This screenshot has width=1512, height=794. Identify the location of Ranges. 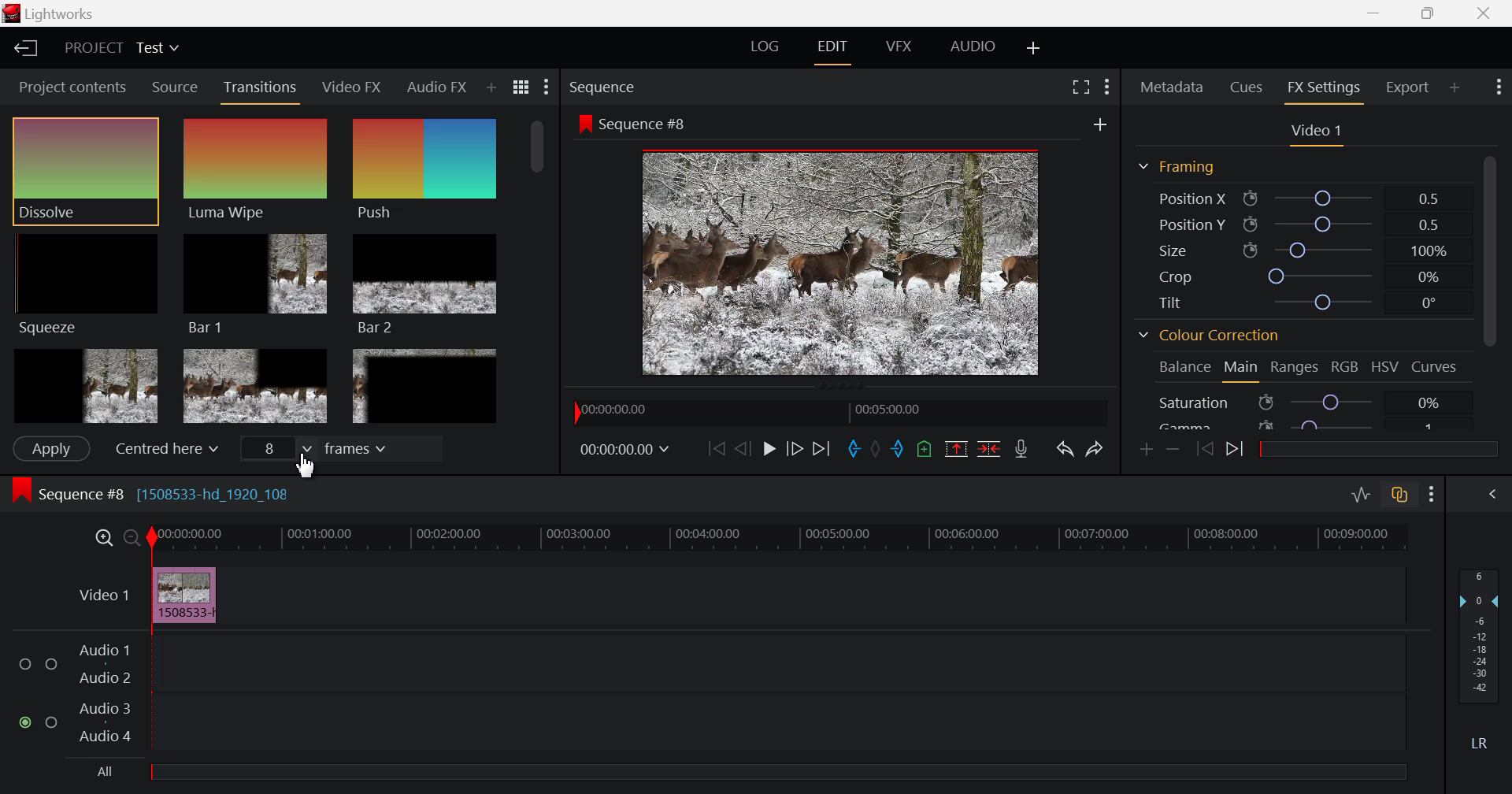
(1298, 368).